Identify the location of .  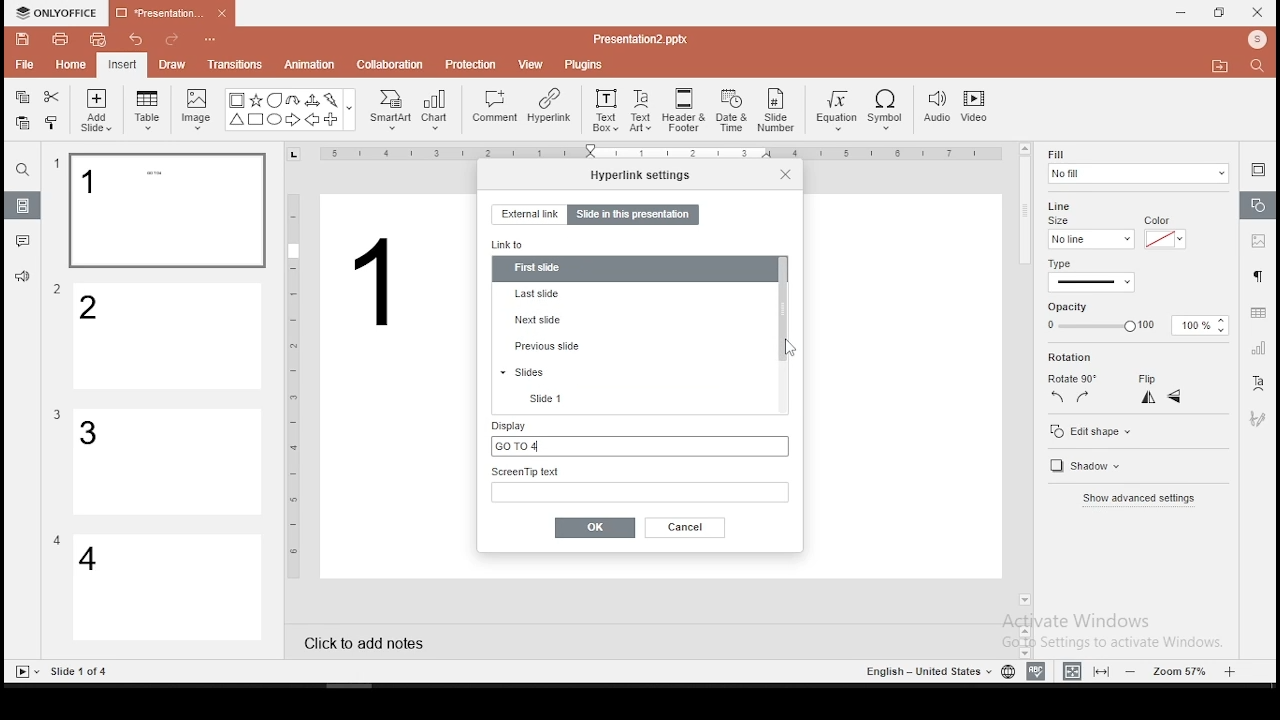
(1253, 418).